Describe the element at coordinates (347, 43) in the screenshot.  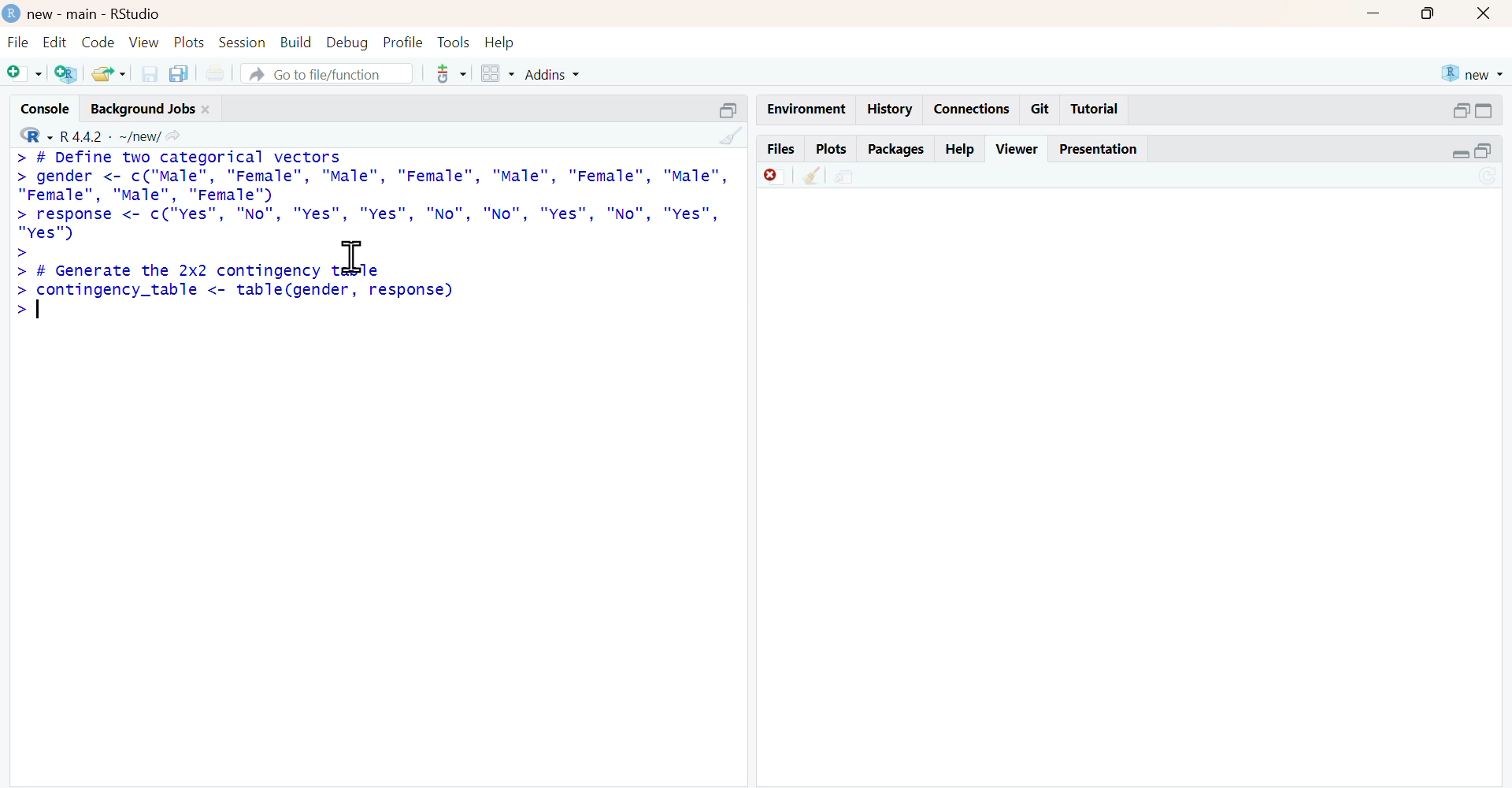
I see `debug` at that location.